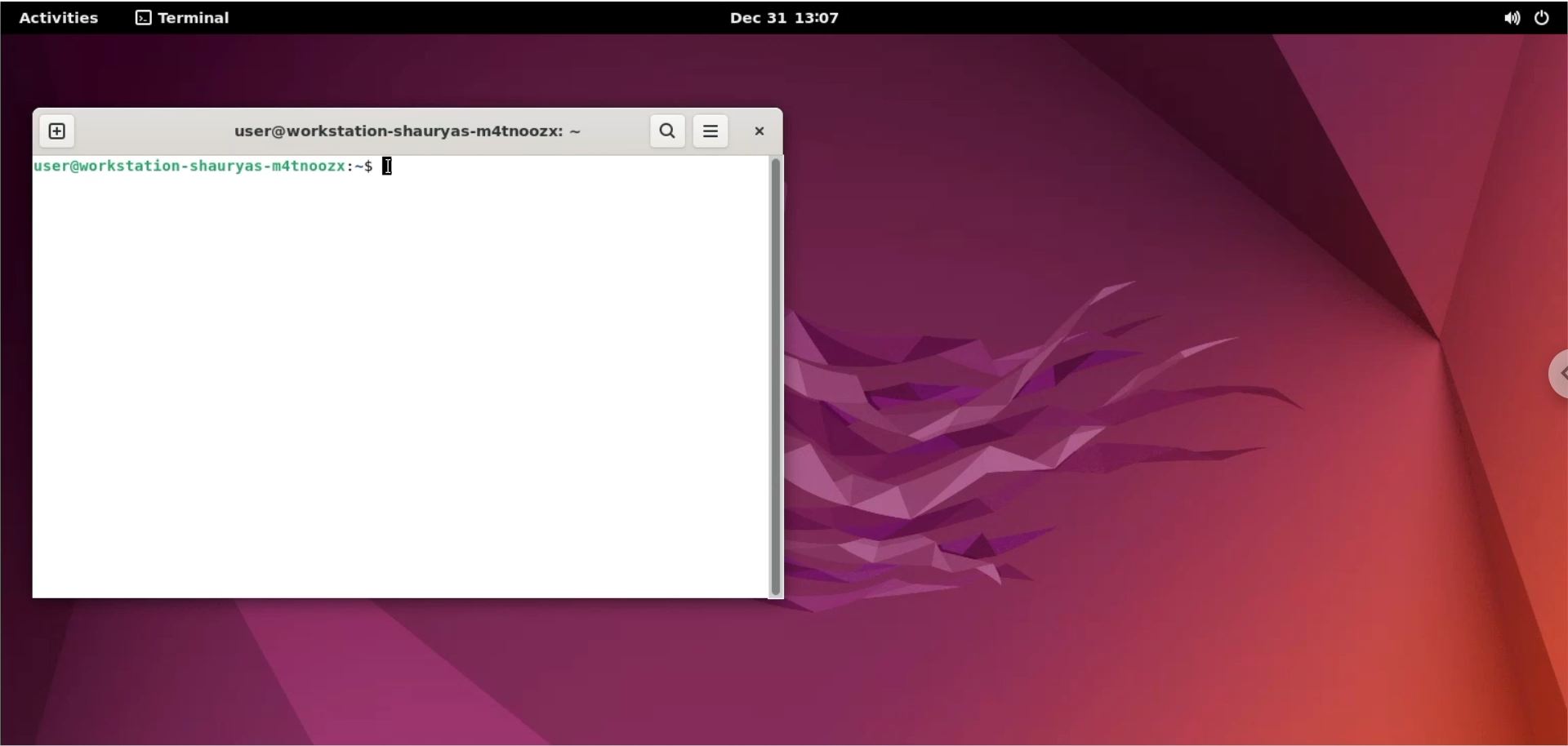 This screenshot has width=1568, height=746. What do you see at coordinates (1548, 18) in the screenshot?
I see `power options` at bounding box center [1548, 18].